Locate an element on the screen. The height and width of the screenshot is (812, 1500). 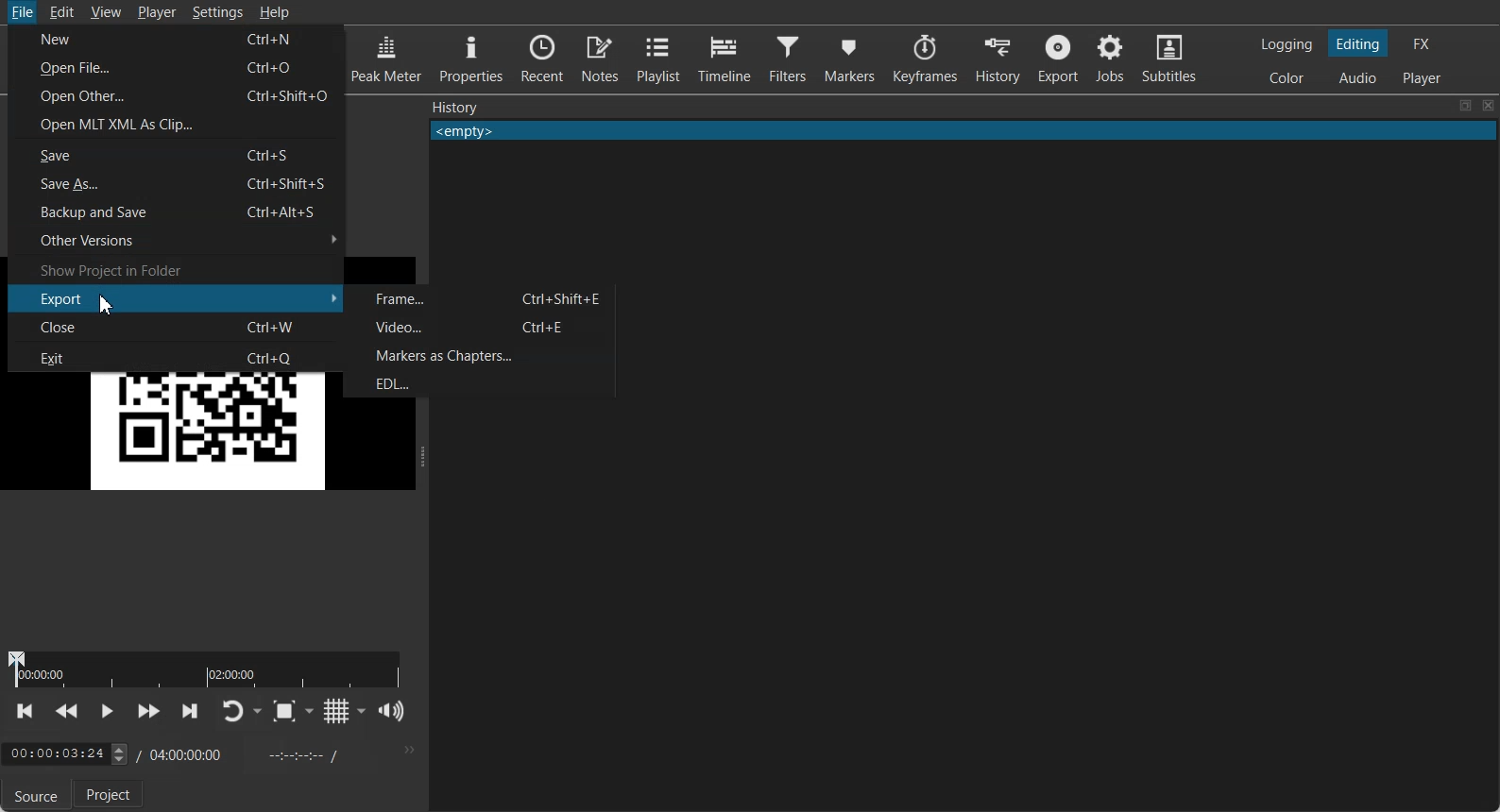
Ctrl+0 is located at coordinates (274, 69).